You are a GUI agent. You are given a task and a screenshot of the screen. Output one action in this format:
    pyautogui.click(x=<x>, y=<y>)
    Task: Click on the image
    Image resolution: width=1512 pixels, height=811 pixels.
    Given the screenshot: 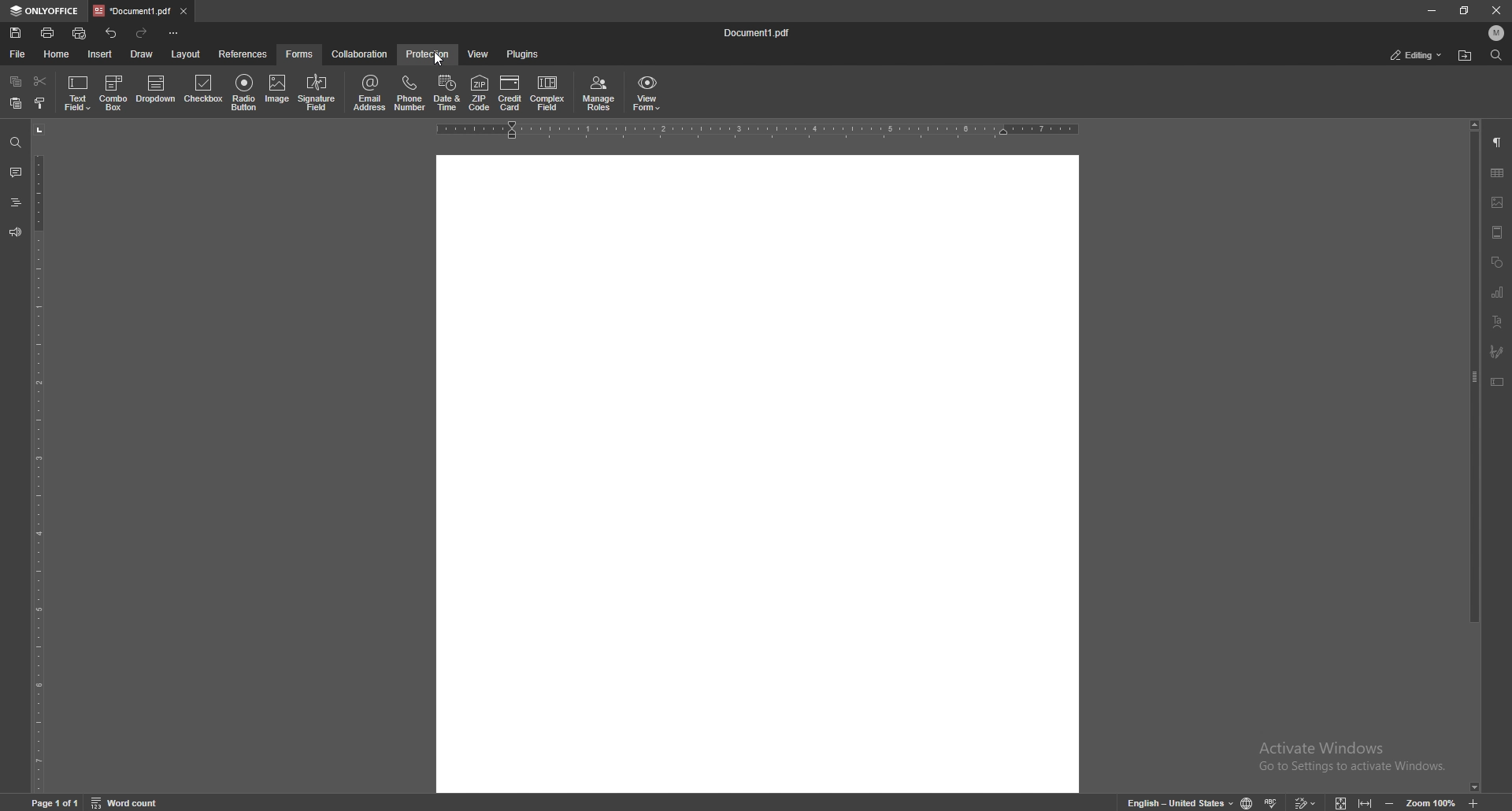 What is the action you would take?
    pyautogui.click(x=1498, y=202)
    